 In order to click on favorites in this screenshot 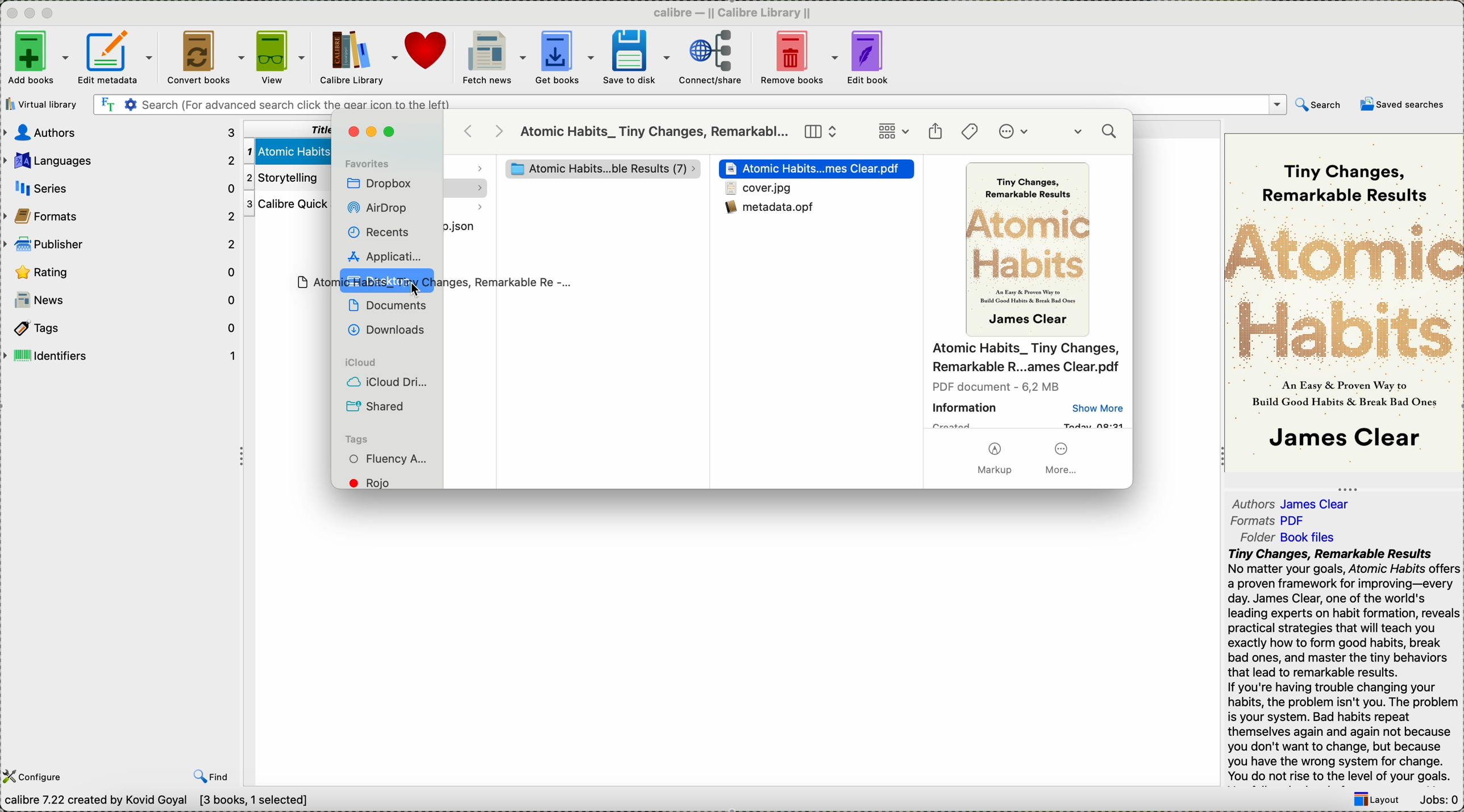, I will do `click(367, 163)`.